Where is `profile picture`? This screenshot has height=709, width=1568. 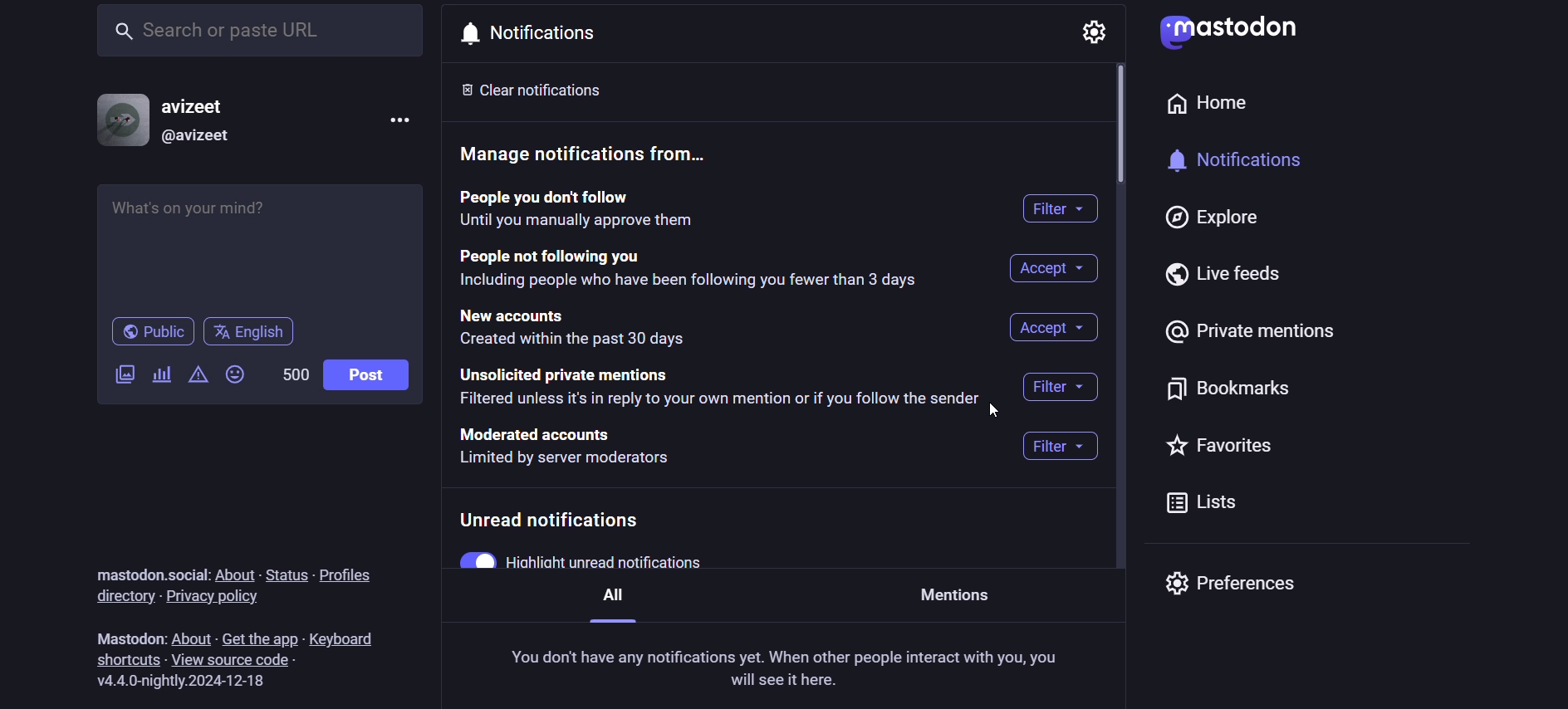 profile picture is located at coordinates (118, 120).